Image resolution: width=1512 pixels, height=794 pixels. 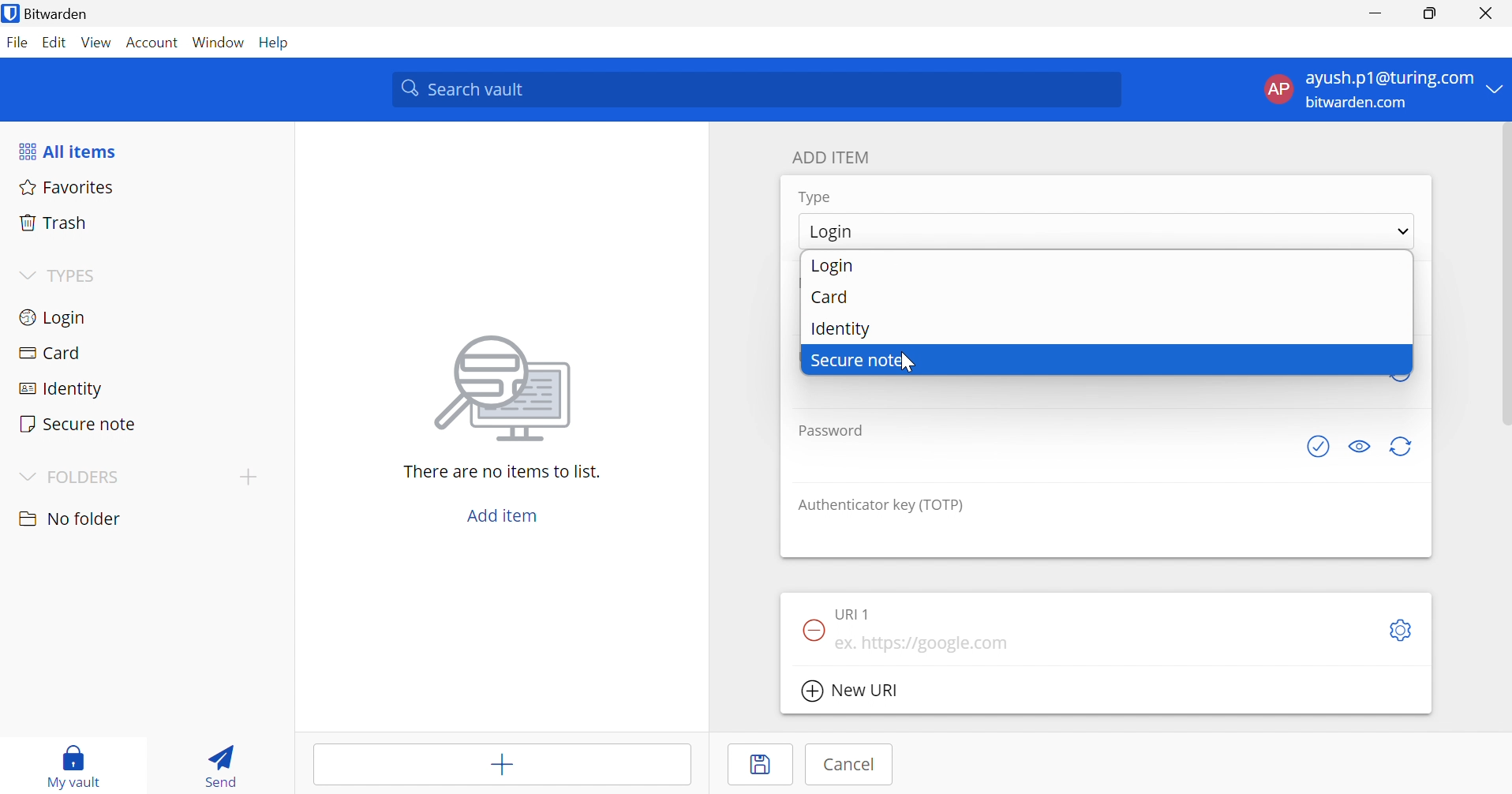 What do you see at coordinates (80, 755) in the screenshot?
I see `My vault` at bounding box center [80, 755].